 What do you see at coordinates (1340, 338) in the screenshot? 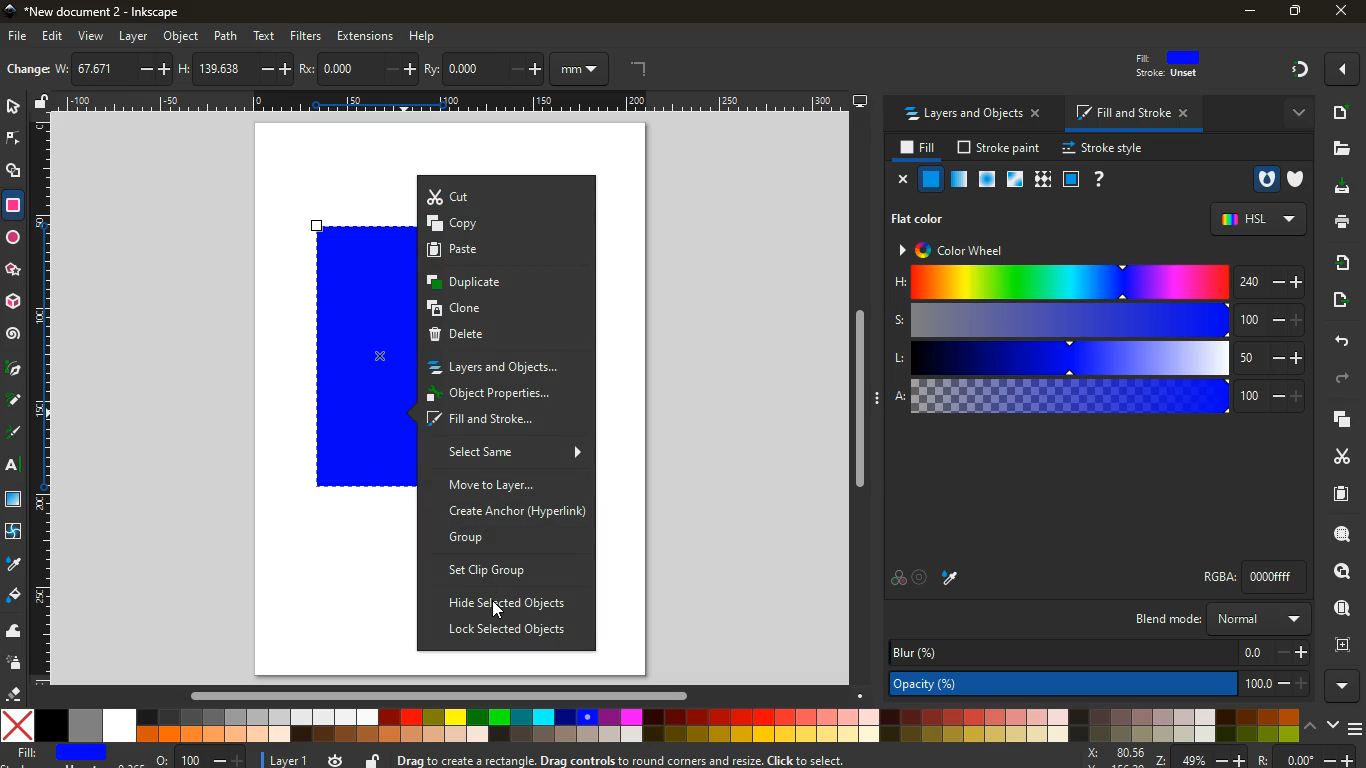
I see `back` at bounding box center [1340, 338].